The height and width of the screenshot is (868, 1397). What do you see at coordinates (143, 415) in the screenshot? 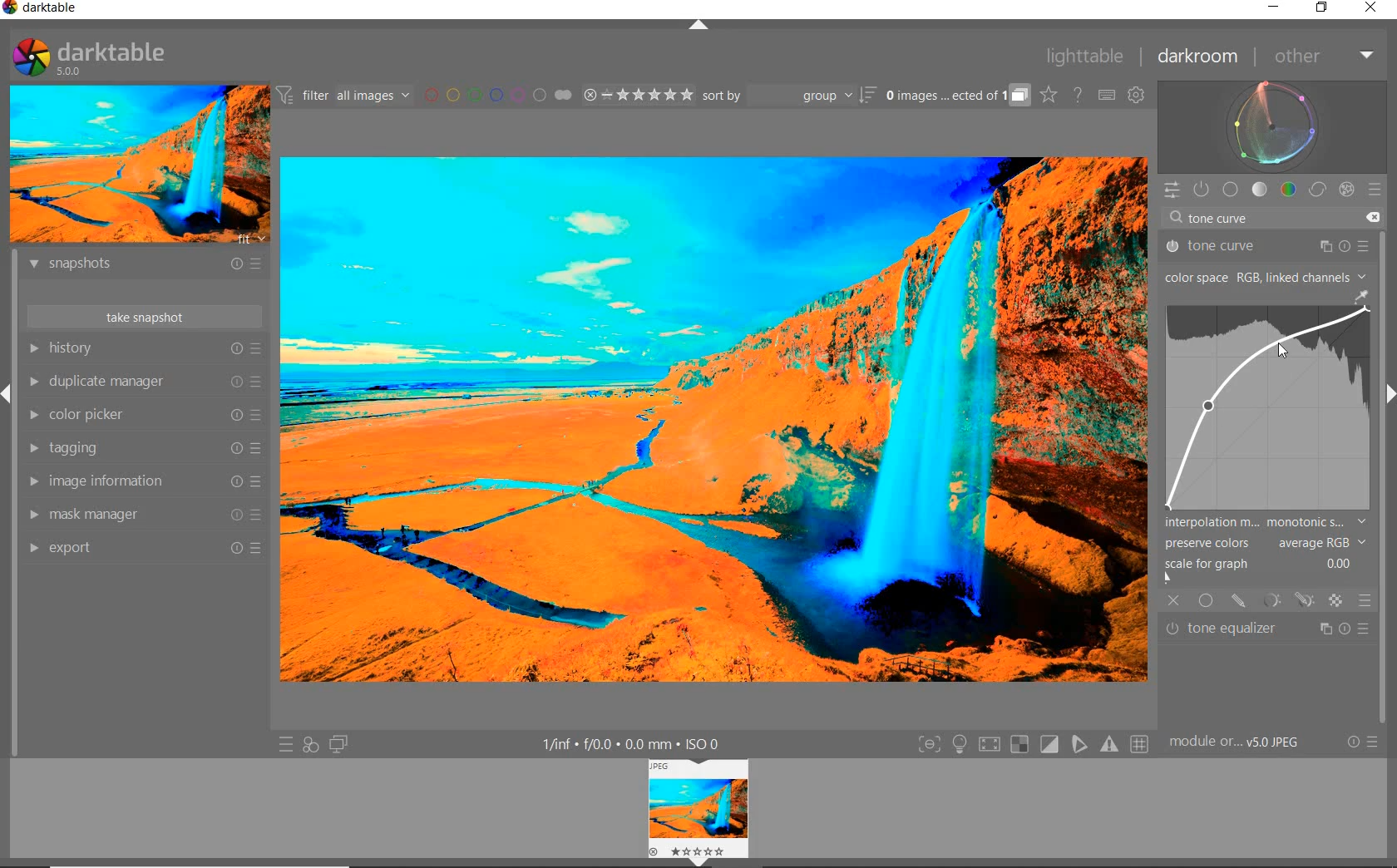
I see `color picker` at bounding box center [143, 415].